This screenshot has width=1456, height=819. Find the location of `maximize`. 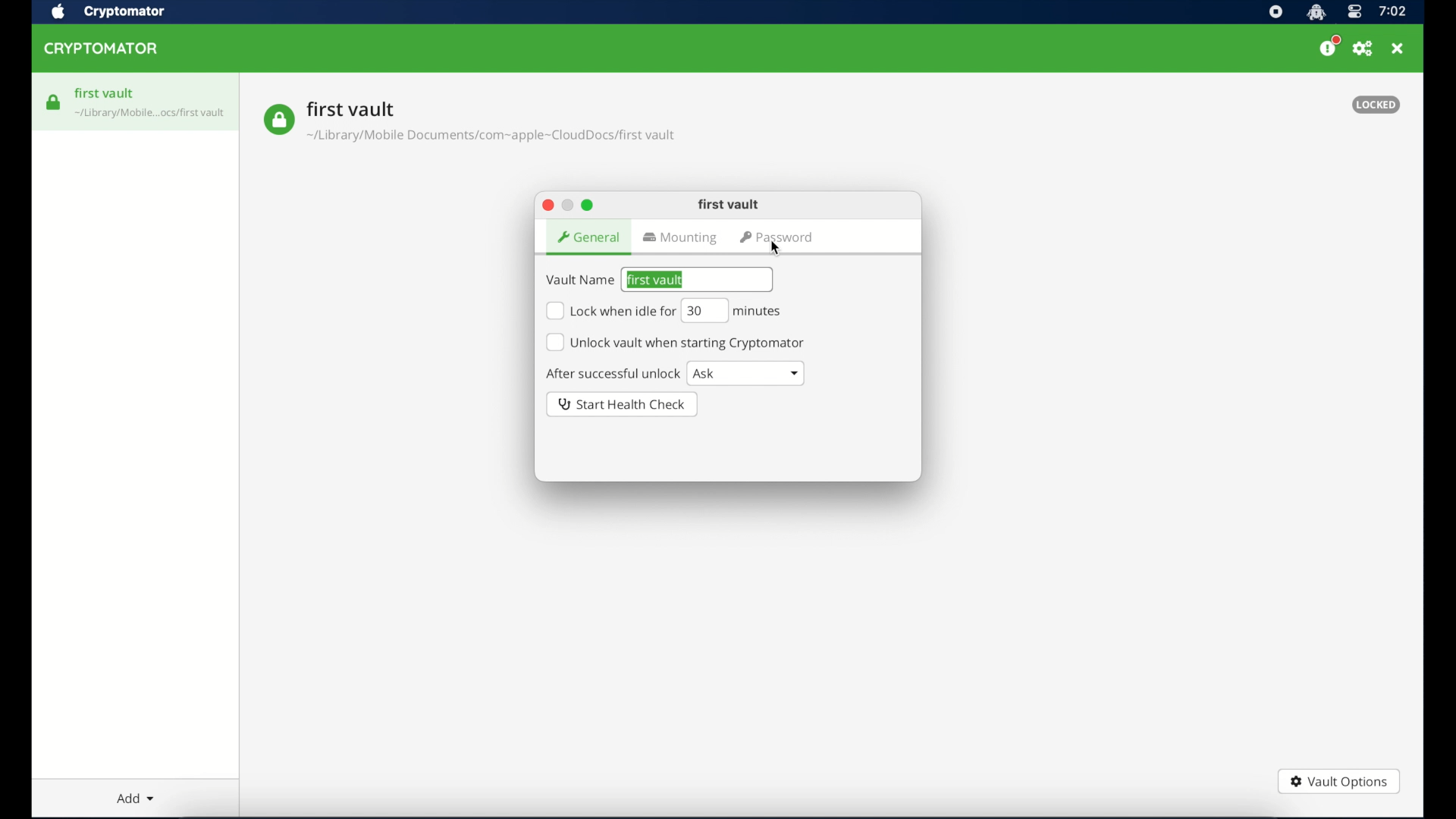

maximize is located at coordinates (588, 205).